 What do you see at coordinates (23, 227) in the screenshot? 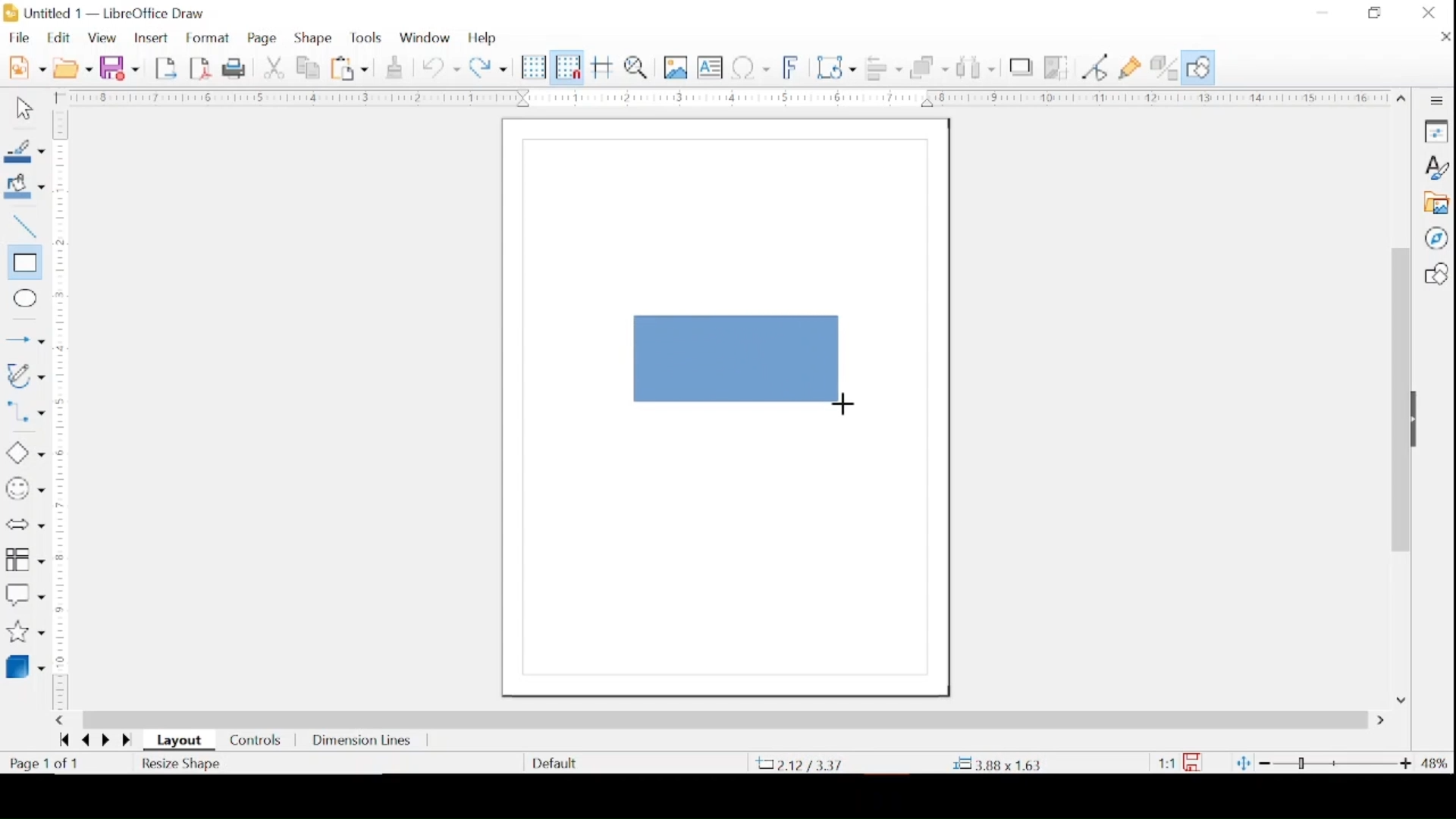
I see `insert line` at bounding box center [23, 227].